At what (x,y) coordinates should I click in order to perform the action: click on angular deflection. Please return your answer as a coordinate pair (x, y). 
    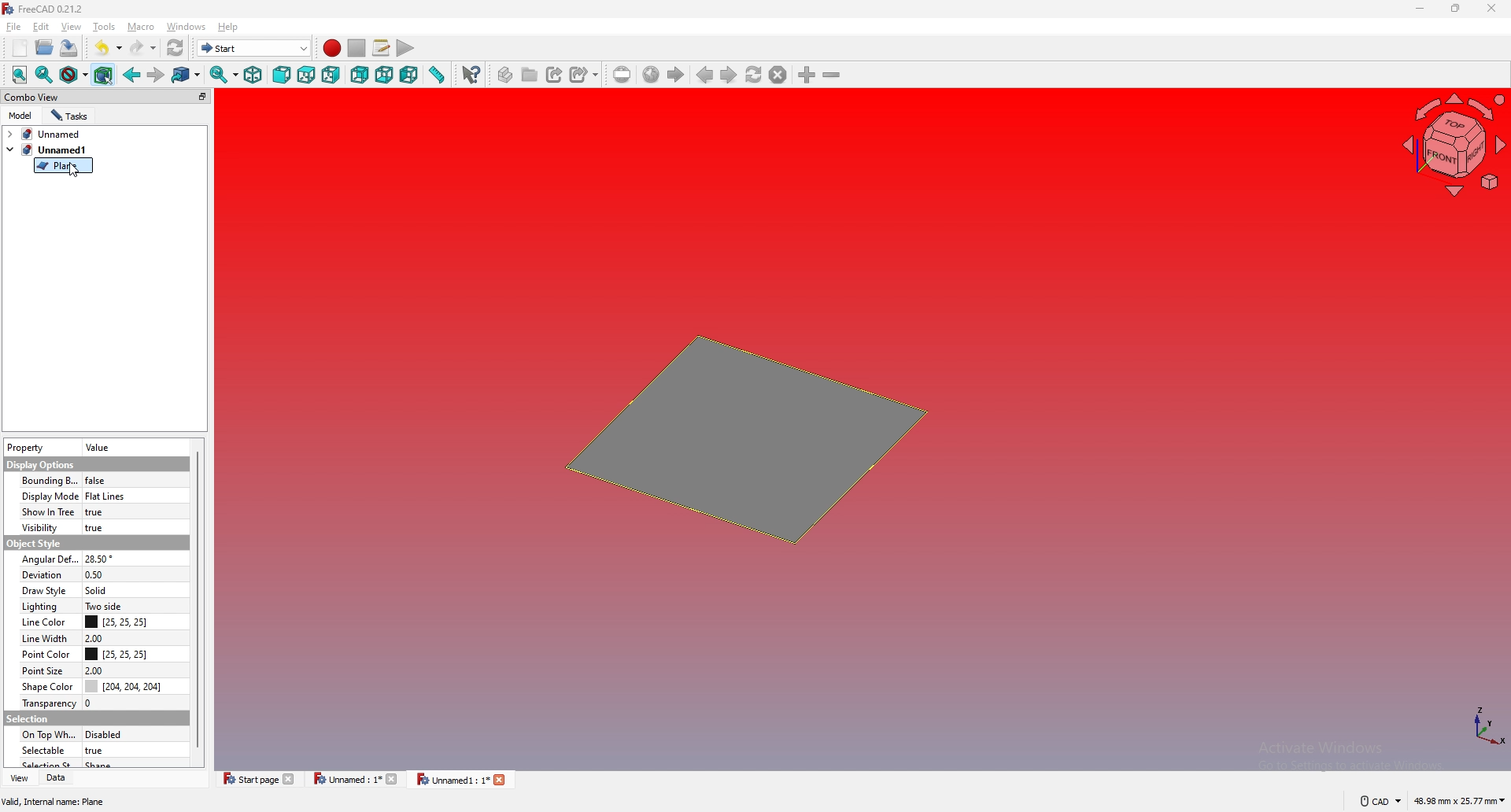
    Looking at the image, I should click on (46, 558).